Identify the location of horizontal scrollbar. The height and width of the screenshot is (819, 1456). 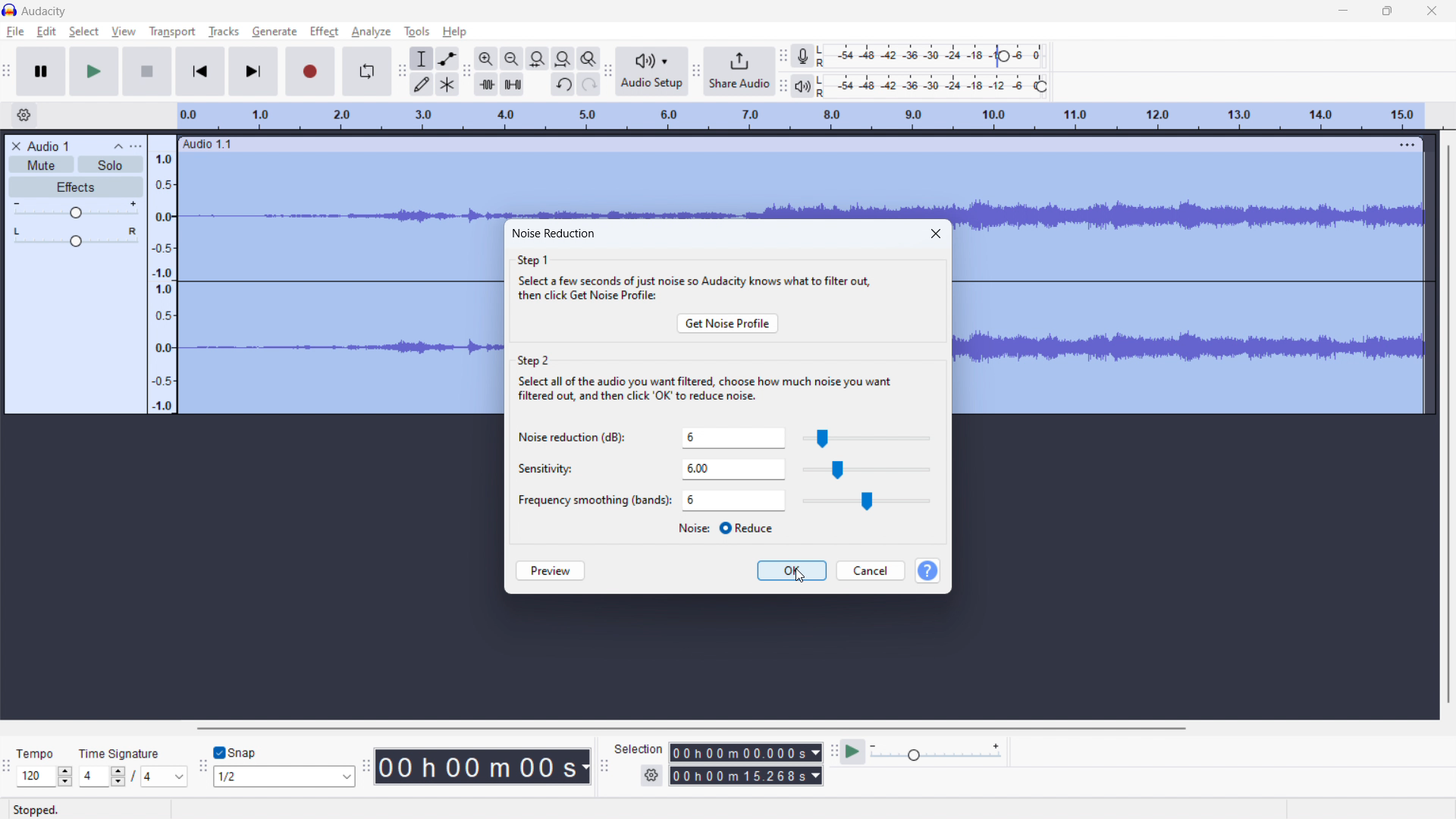
(692, 729).